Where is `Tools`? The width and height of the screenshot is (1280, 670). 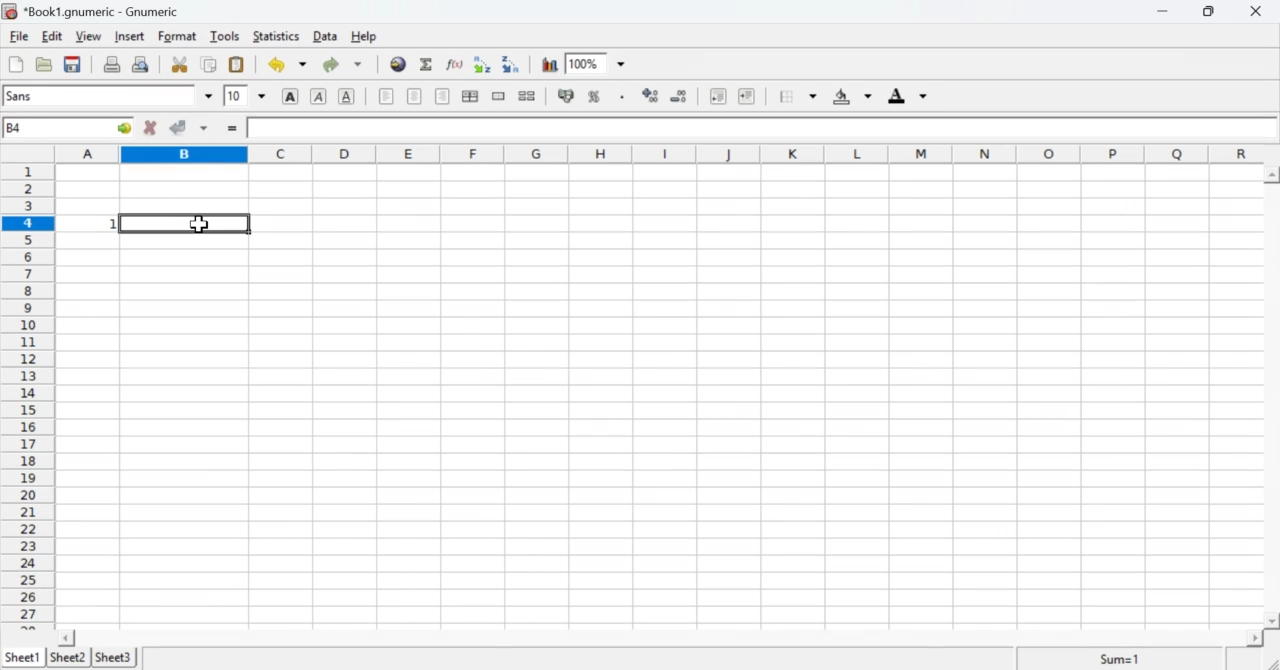 Tools is located at coordinates (226, 36).